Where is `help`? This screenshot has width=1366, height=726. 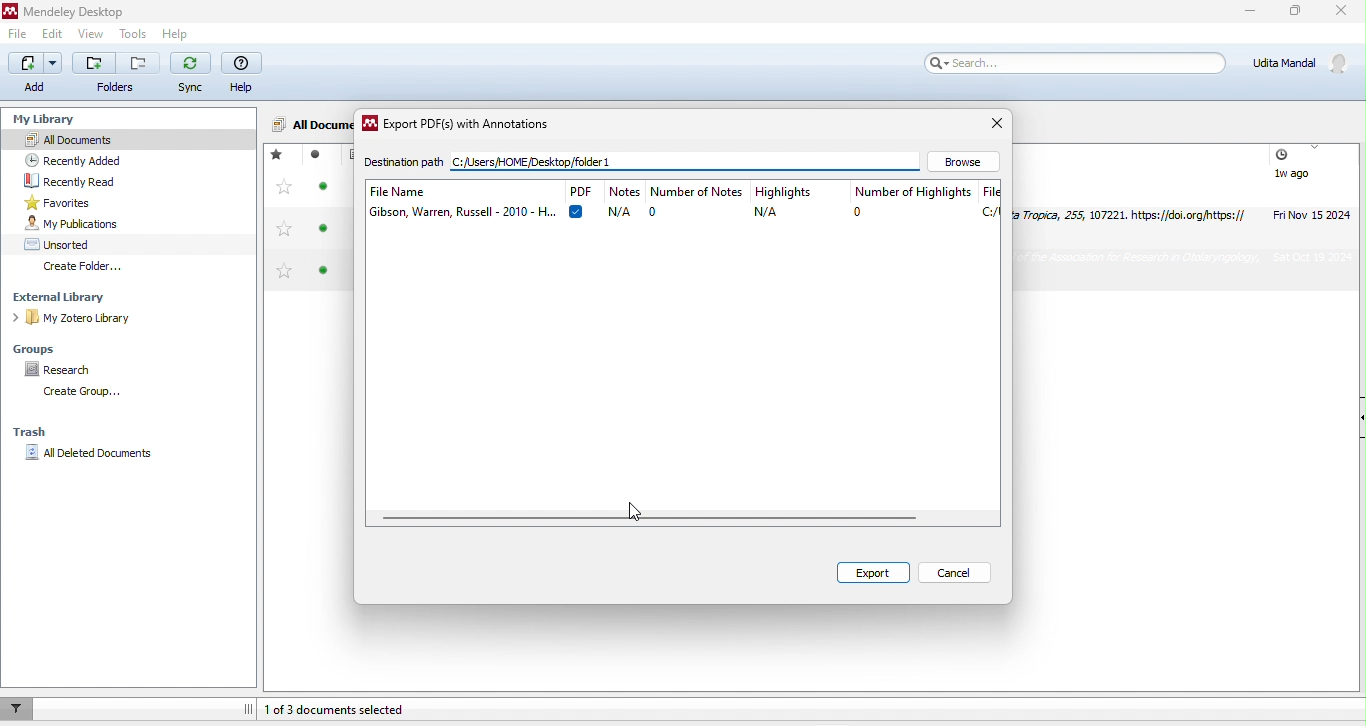 help is located at coordinates (245, 73).